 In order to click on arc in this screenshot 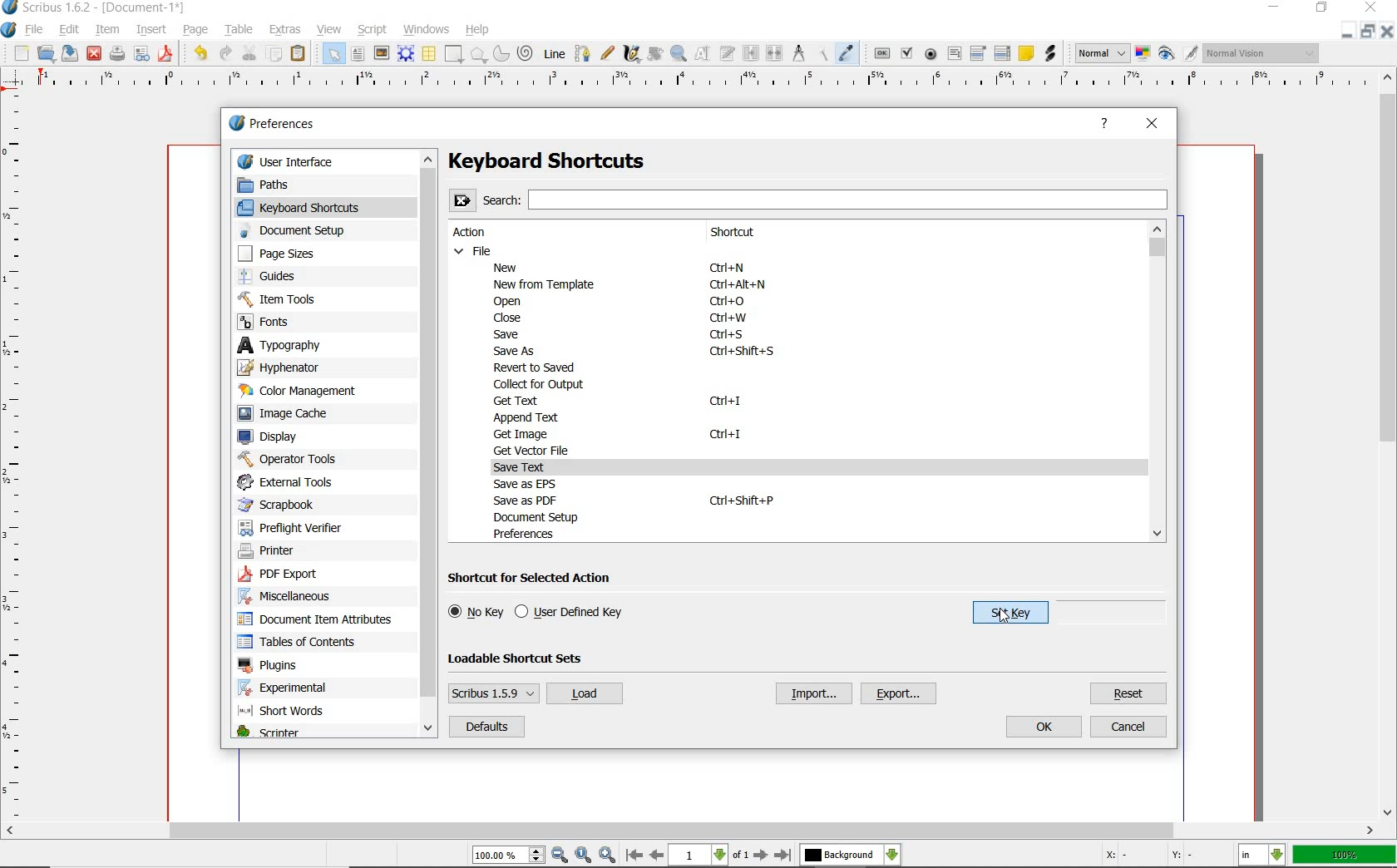, I will do `click(500, 55)`.